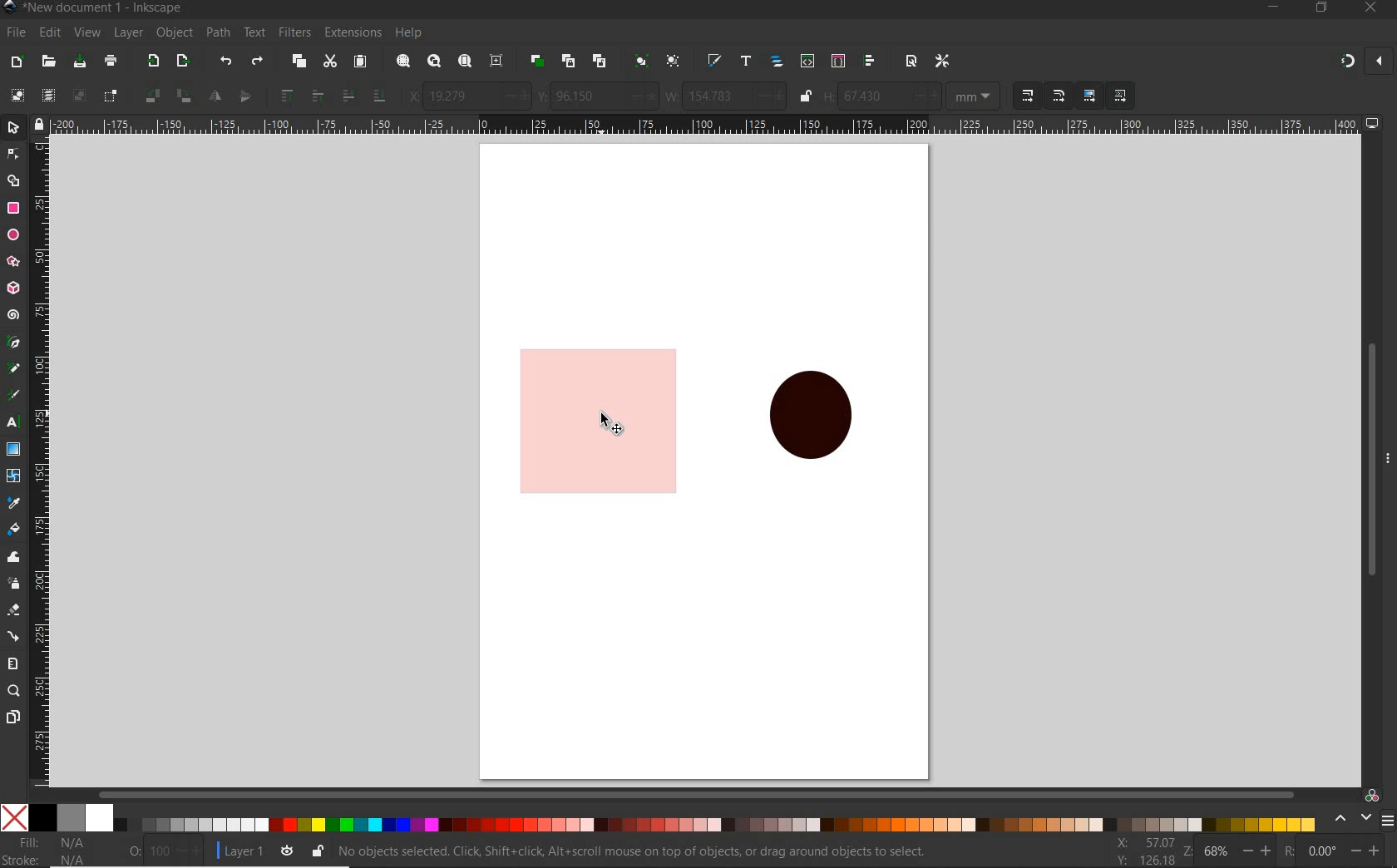 The height and width of the screenshot is (868, 1397). What do you see at coordinates (914, 96) in the screenshot?
I see `height of selection` at bounding box center [914, 96].